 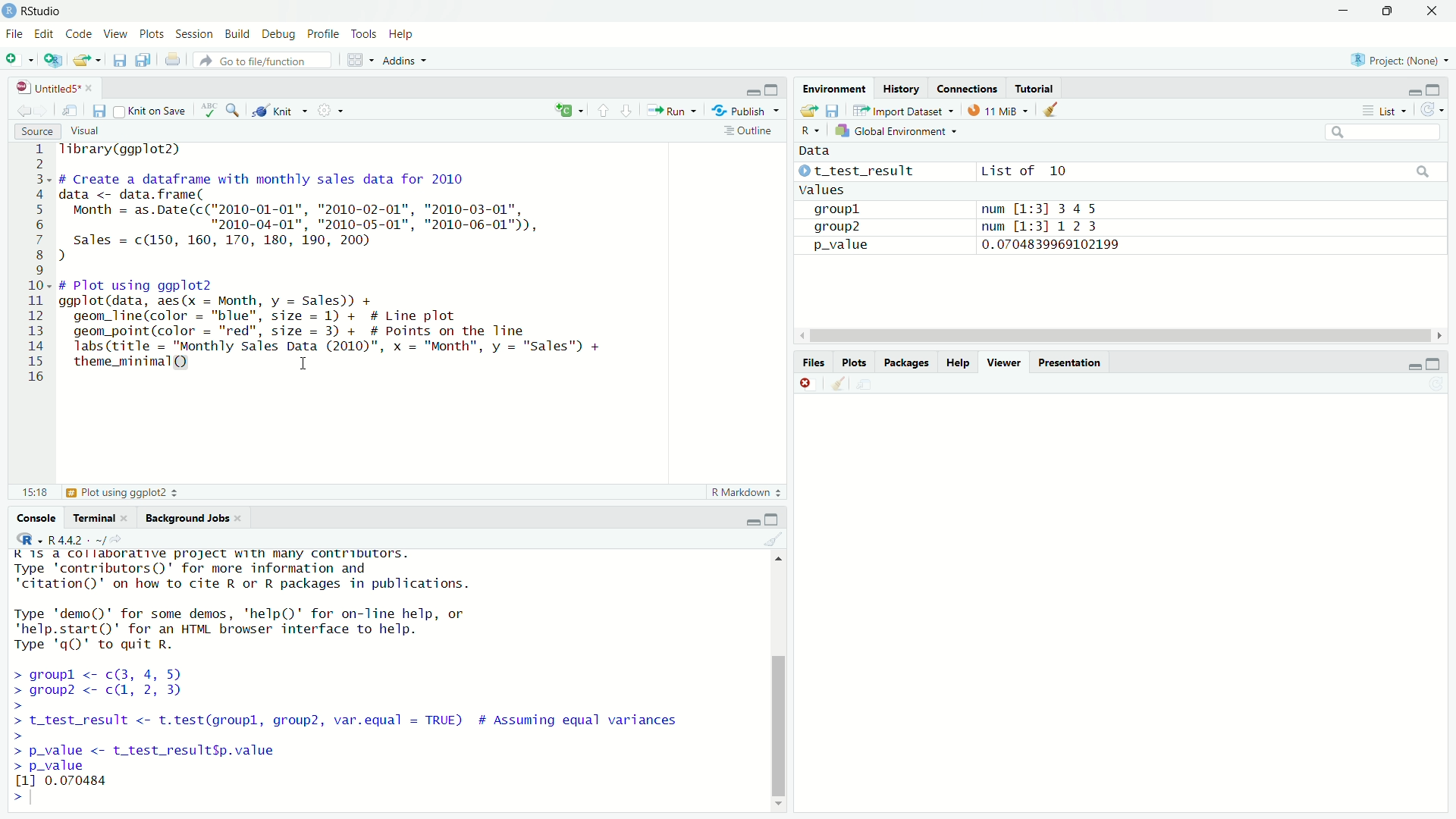 I want to click on RStudio, so click(x=37, y=11).